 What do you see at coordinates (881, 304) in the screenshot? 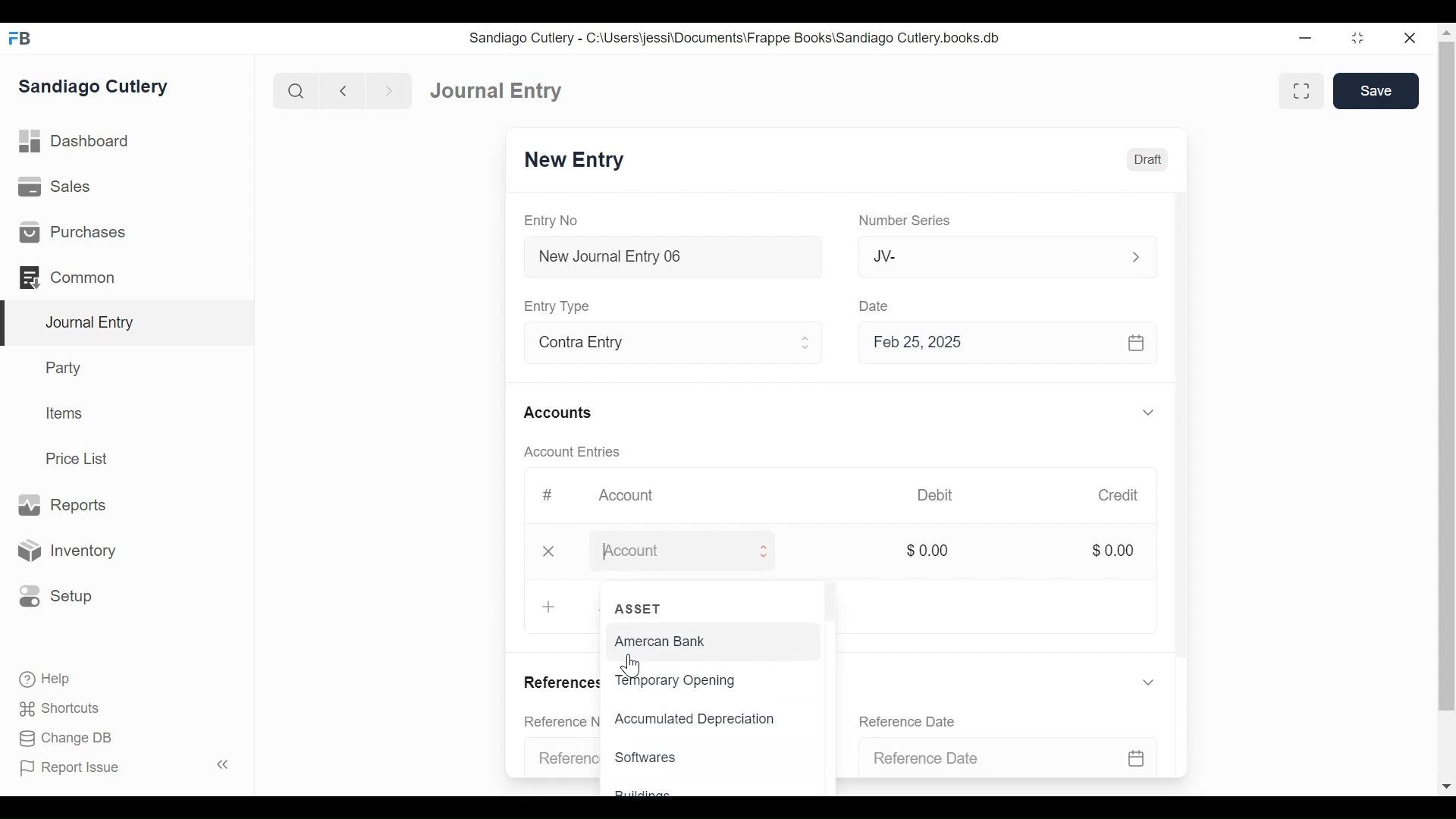
I see `Date` at bounding box center [881, 304].